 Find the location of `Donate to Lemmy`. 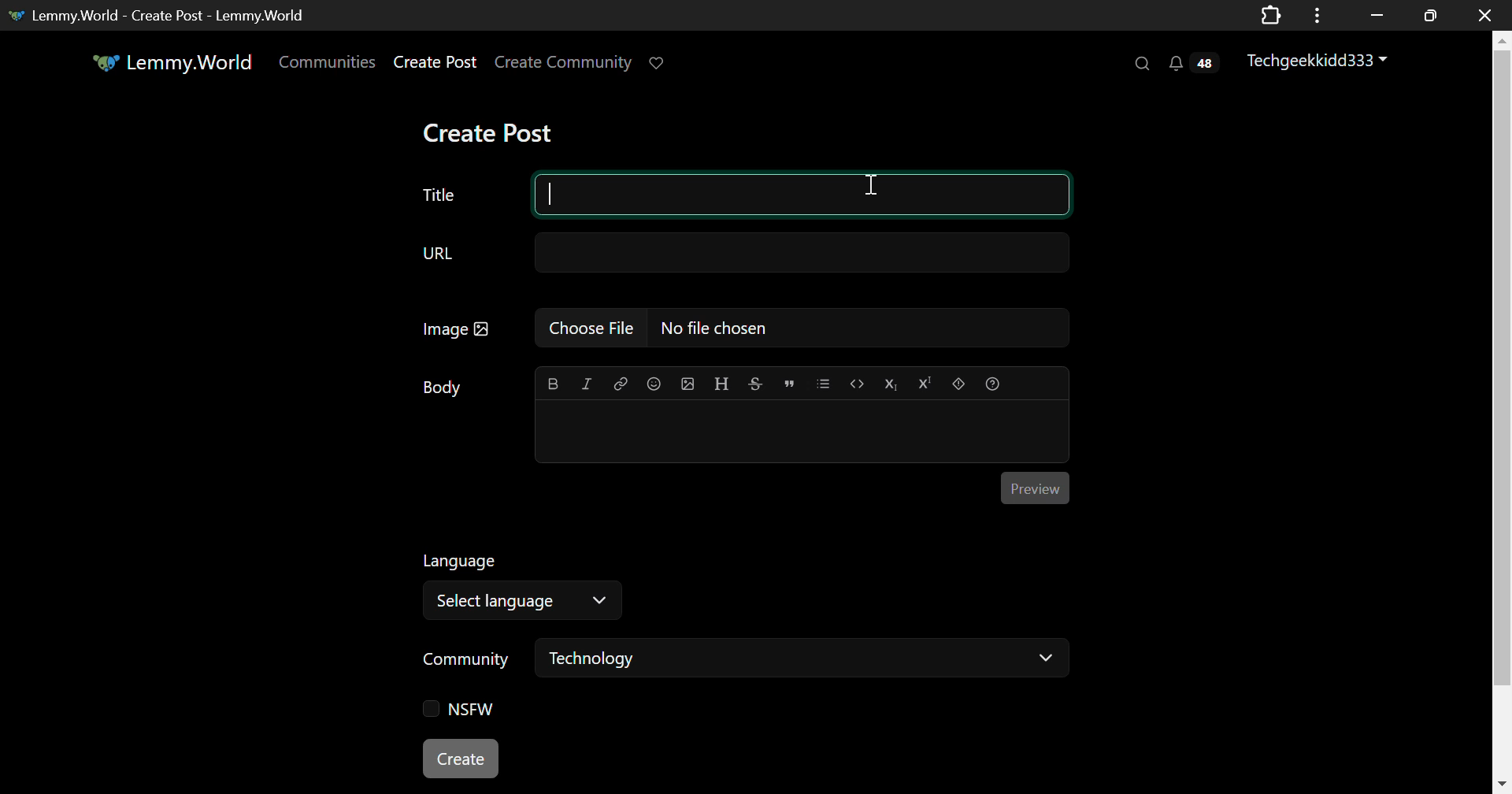

Donate to Lemmy is located at coordinates (658, 64).